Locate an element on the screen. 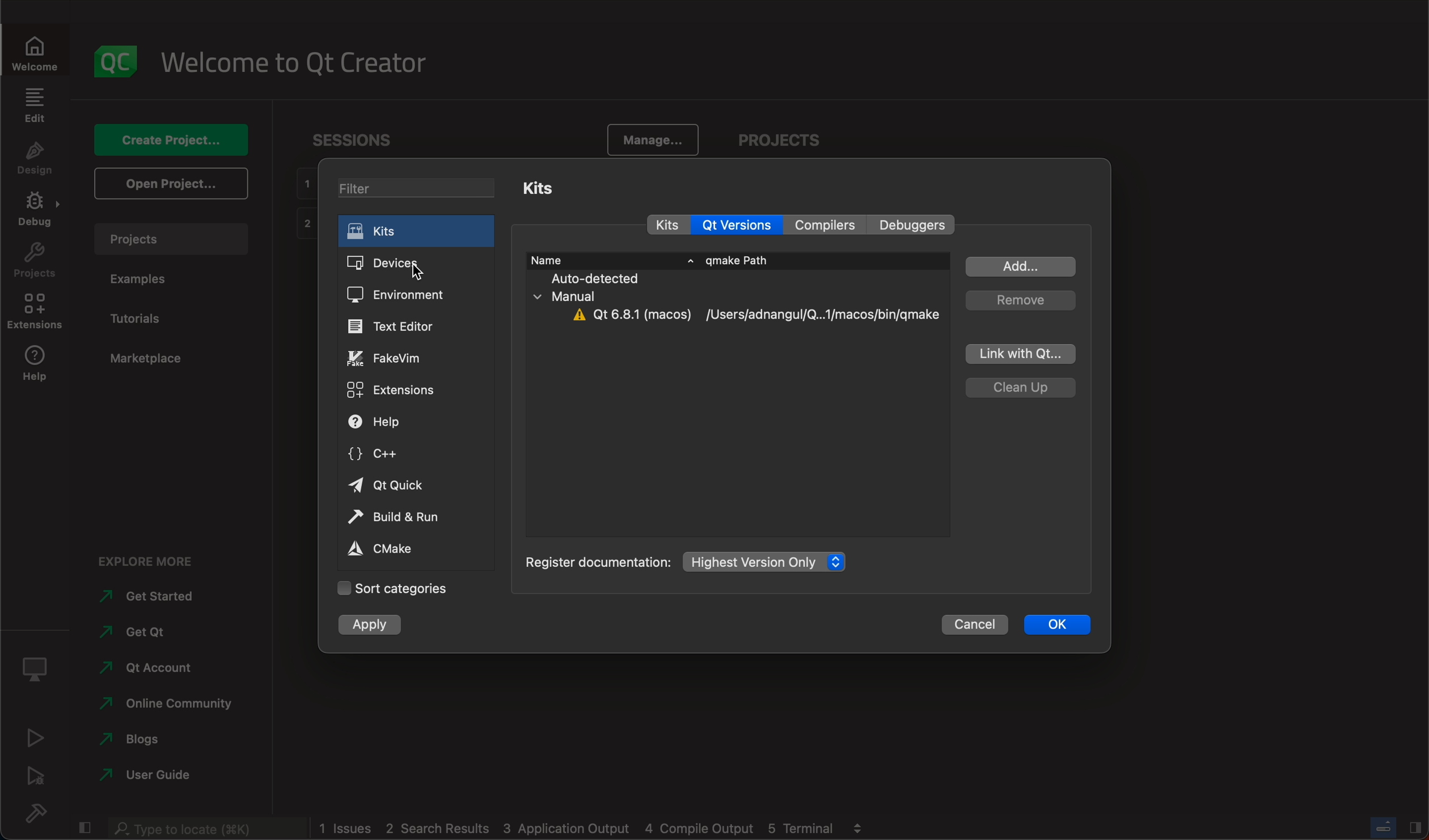 The height and width of the screenshot is (840, 1429). logo is located at coordinates (117, 59).